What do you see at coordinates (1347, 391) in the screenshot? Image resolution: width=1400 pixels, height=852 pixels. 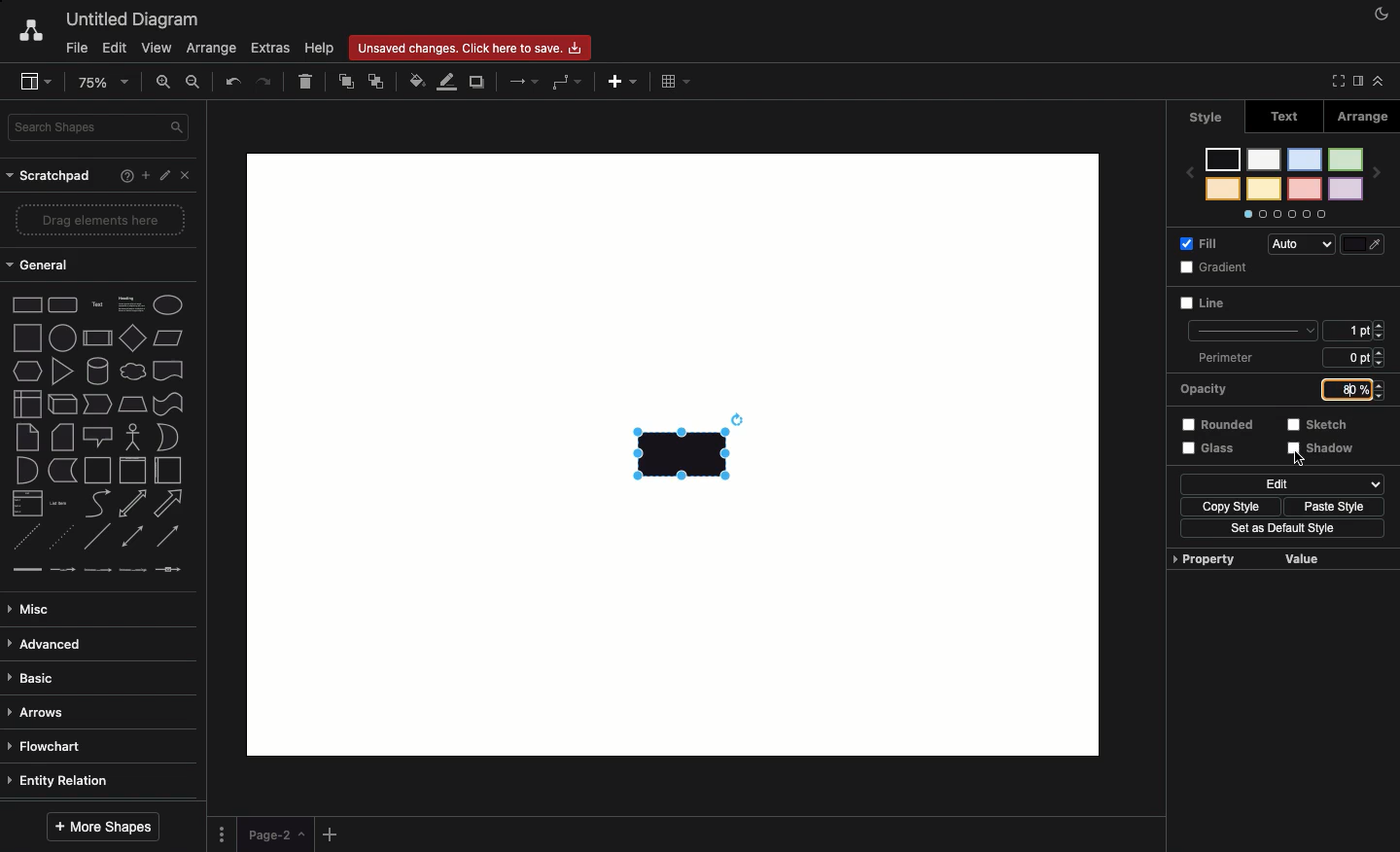 I see `80%` at bounding box center [1347, 391].